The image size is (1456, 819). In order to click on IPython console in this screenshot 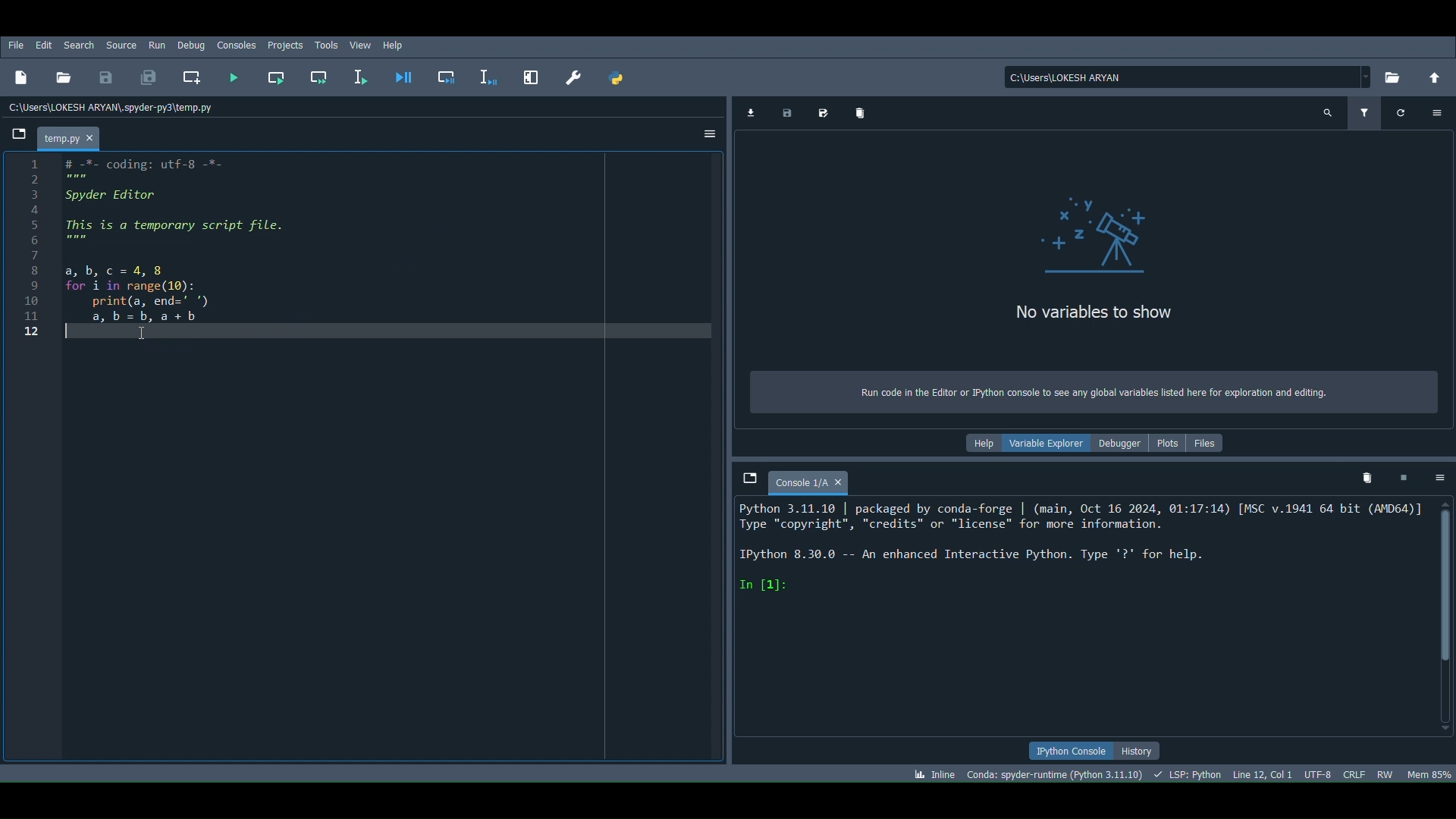, I will do `click(1068, 748)`.